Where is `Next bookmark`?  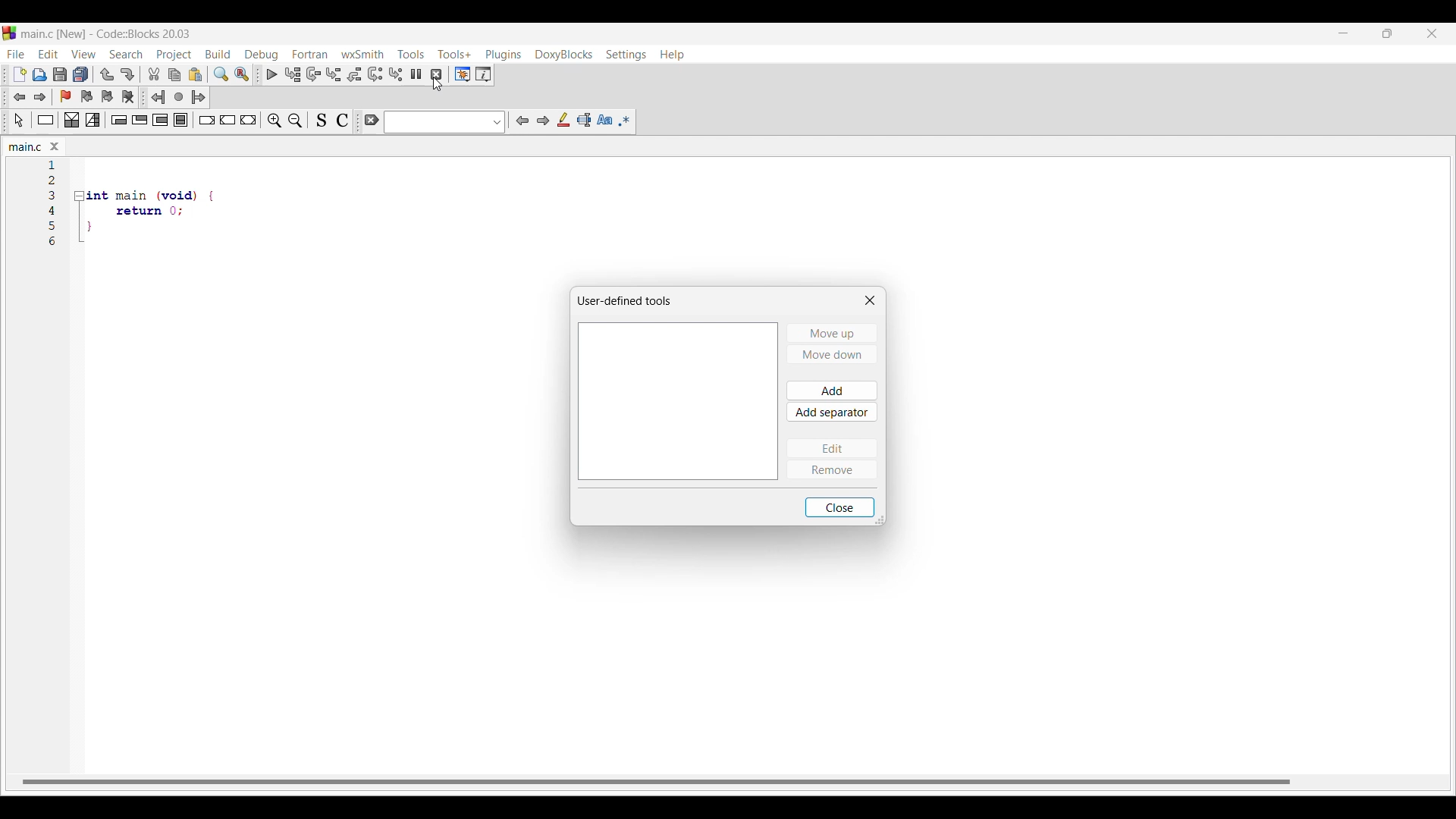 Next bookmark is located at coordinates (107, 96).